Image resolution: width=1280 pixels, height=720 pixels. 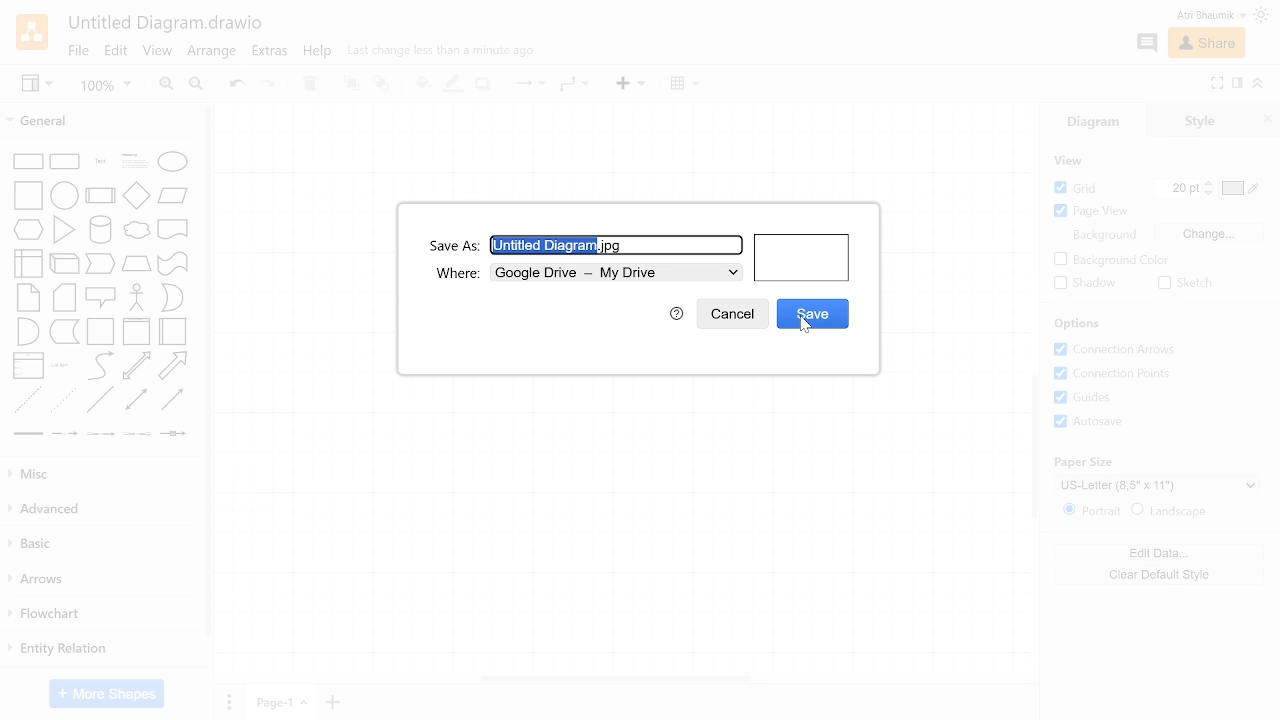 What do you see at coordinates (1128, 398) in the screenshot?
I see `Grids` at bounding box center [1128, 398].